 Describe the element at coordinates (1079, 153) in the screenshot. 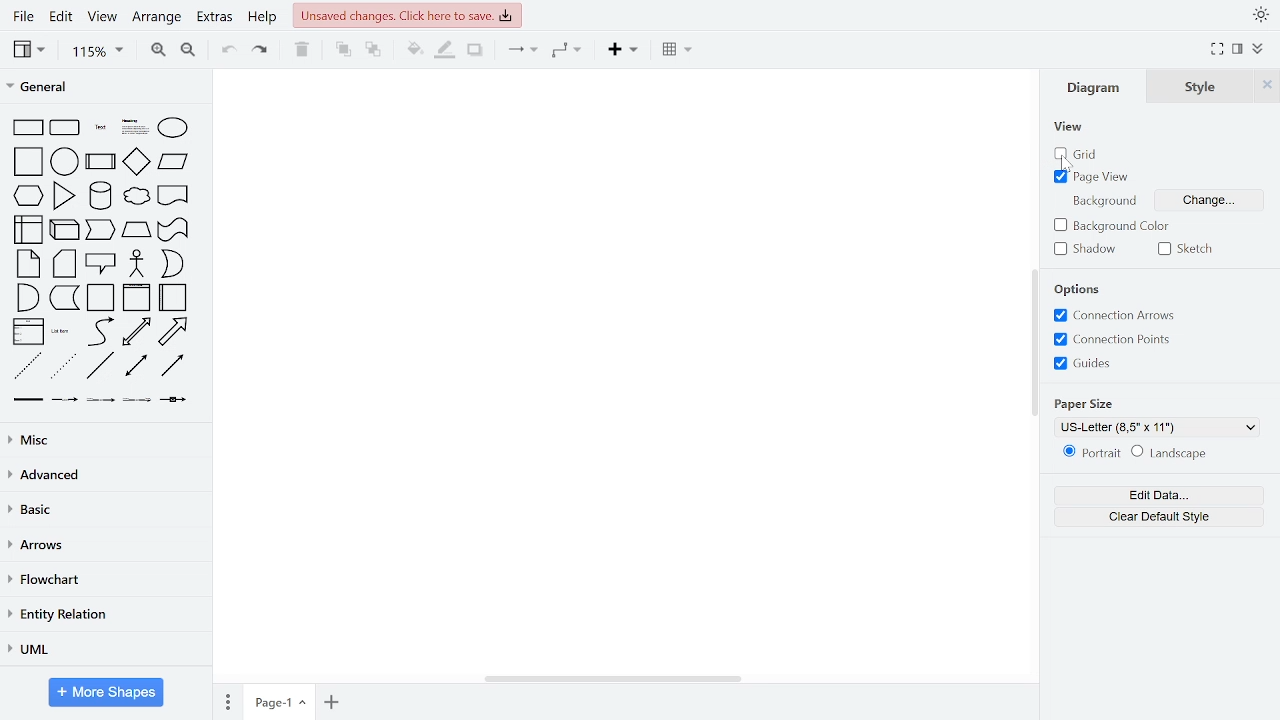

I see `grid` at that location.